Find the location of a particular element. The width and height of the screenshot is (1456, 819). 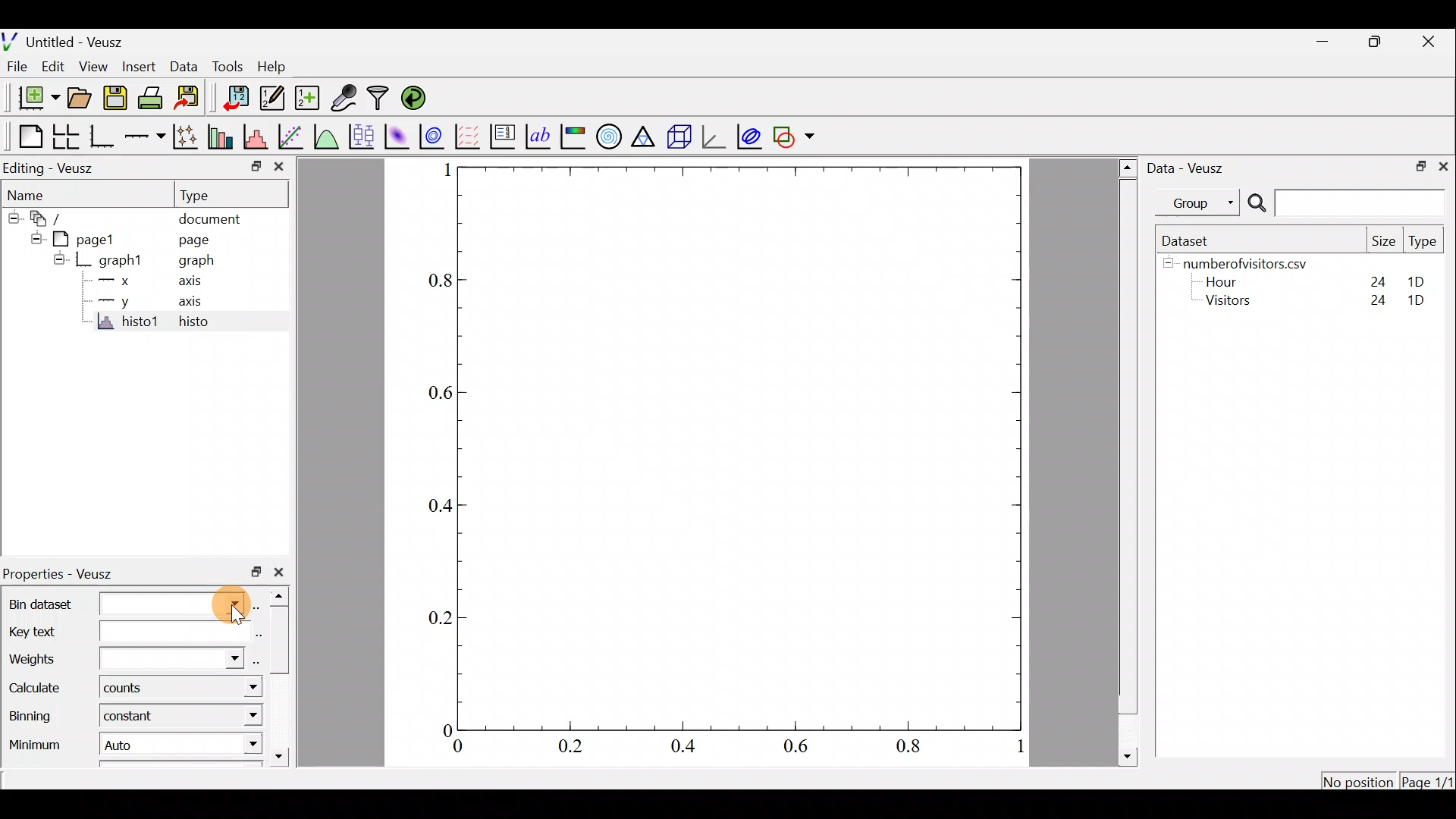

Graph is located at coordinates (738, 448).